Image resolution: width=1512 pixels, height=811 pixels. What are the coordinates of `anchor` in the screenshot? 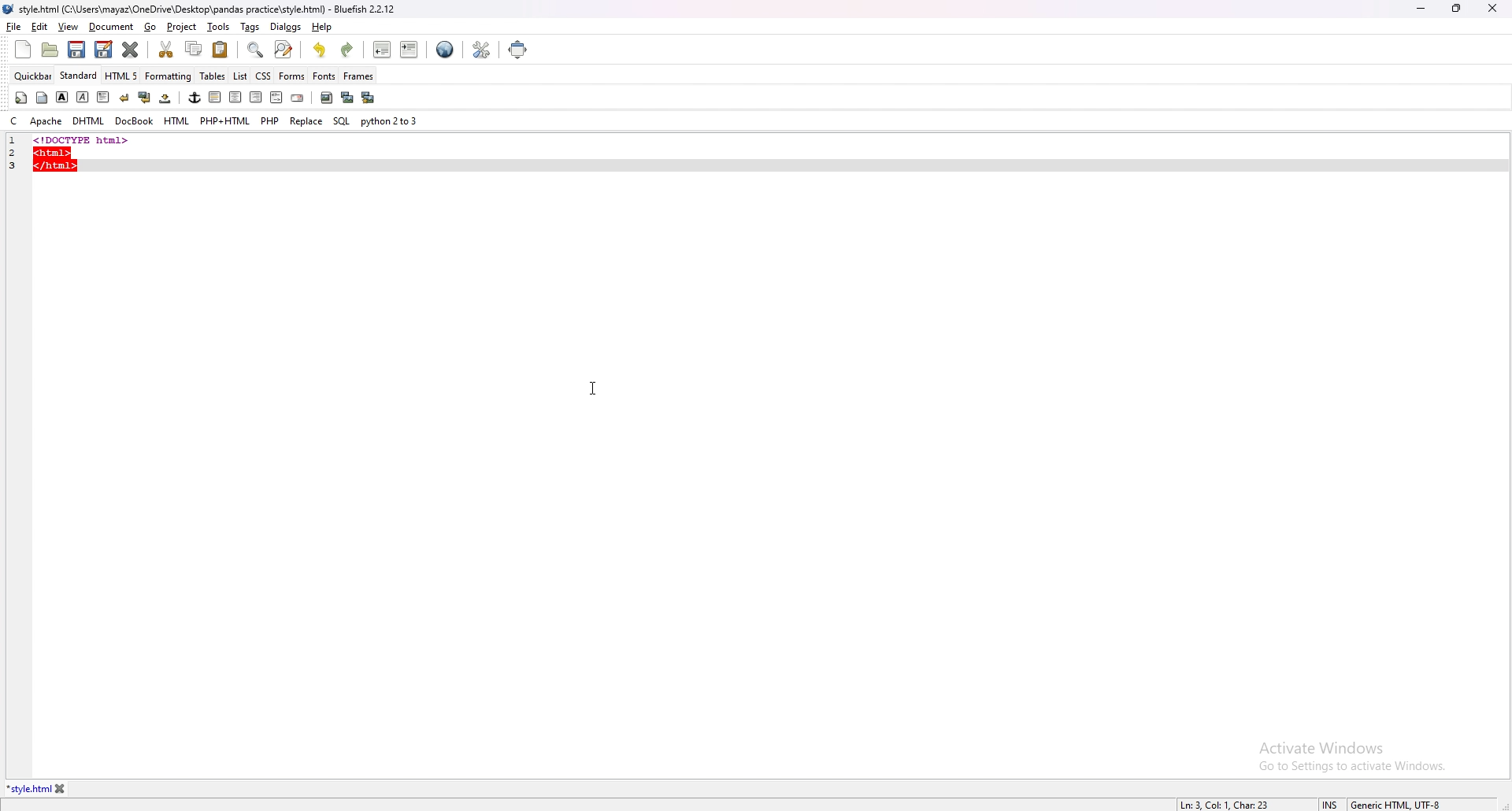 It's located at (195, 98).